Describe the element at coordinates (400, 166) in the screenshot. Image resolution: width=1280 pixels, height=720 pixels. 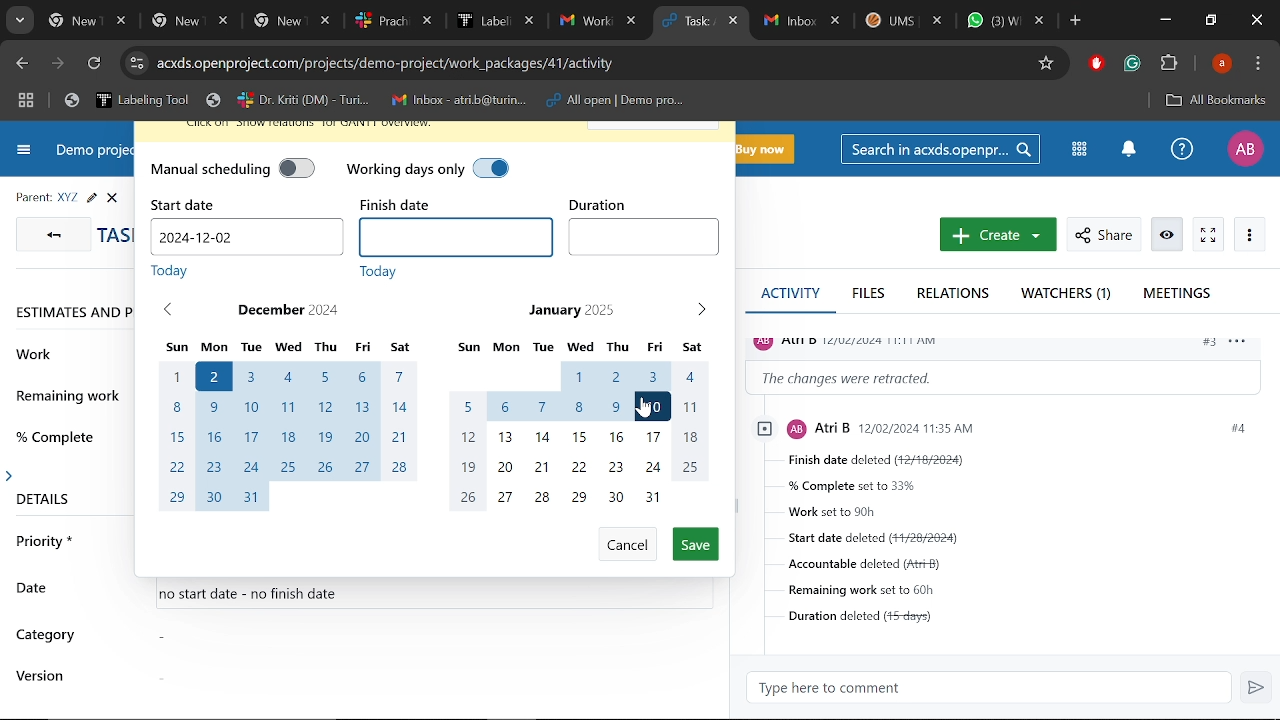
I see `working days only` at that location.